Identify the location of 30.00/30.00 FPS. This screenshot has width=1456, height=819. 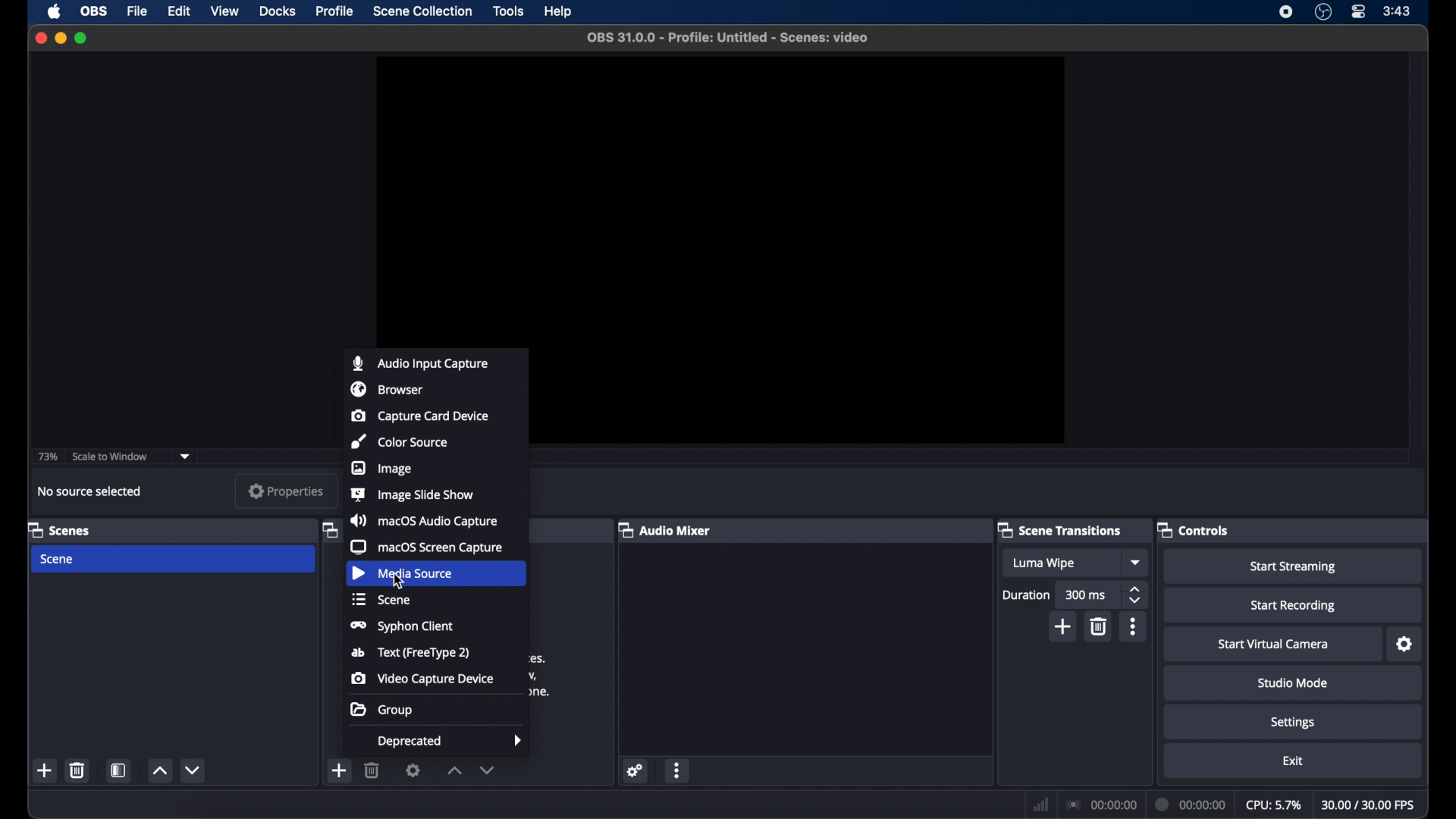
(1369, 805).